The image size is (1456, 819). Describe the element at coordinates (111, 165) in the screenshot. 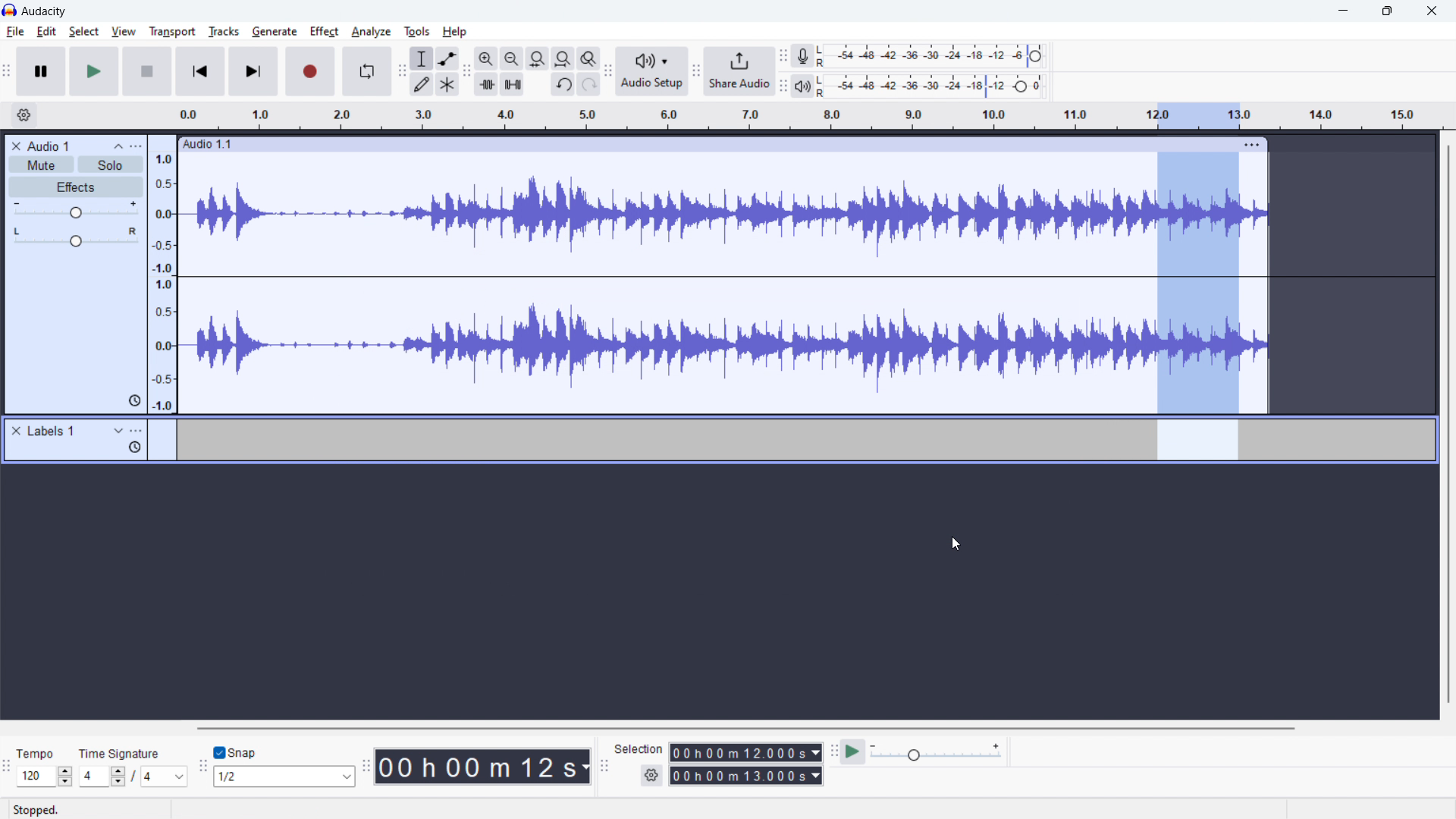

I see `solo` at that location.